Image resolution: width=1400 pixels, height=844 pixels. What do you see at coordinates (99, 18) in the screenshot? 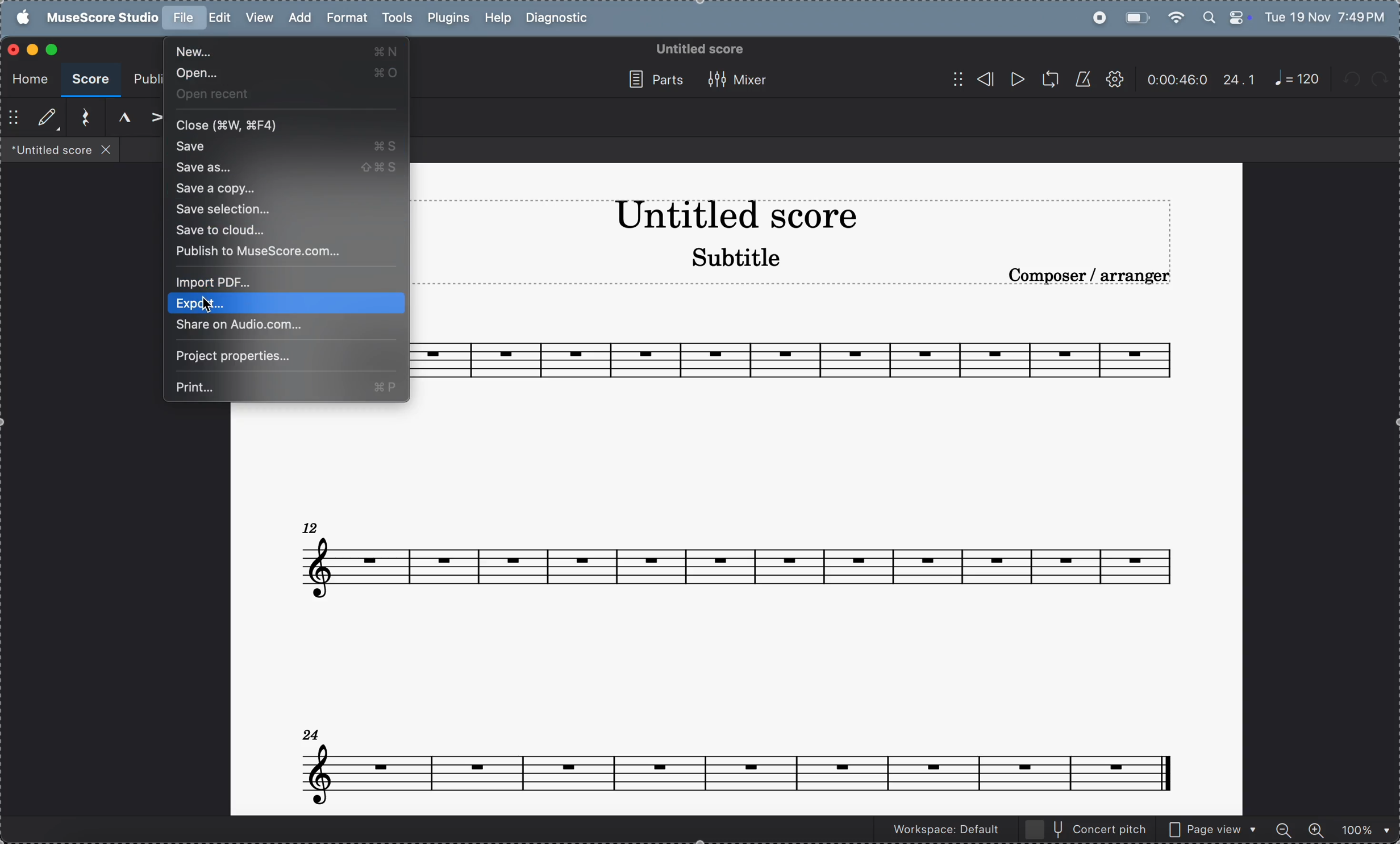
I see `musescore studio` at bounding box center [99, 18].